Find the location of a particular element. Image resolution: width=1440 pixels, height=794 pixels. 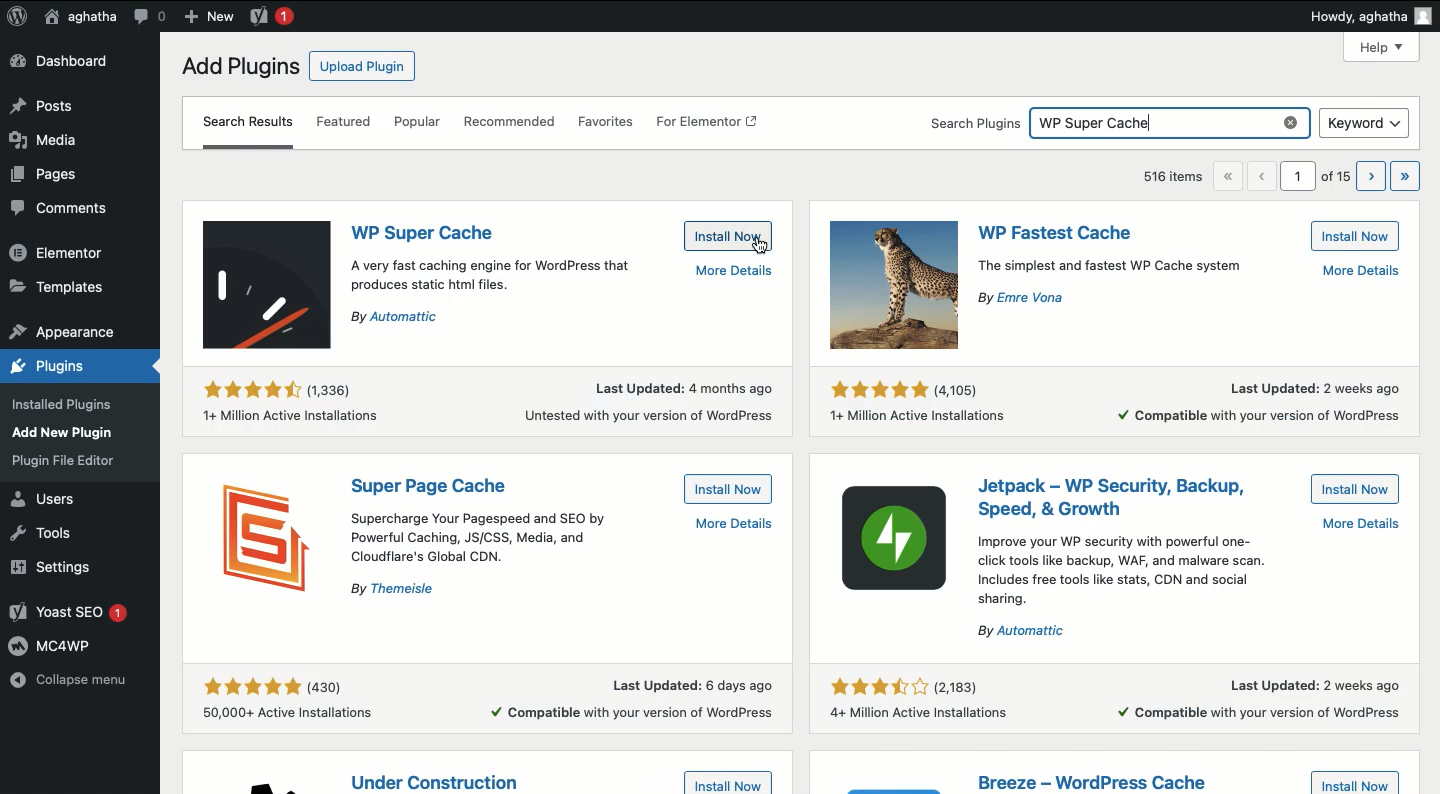

Posts is located at coordinates (44, 105).